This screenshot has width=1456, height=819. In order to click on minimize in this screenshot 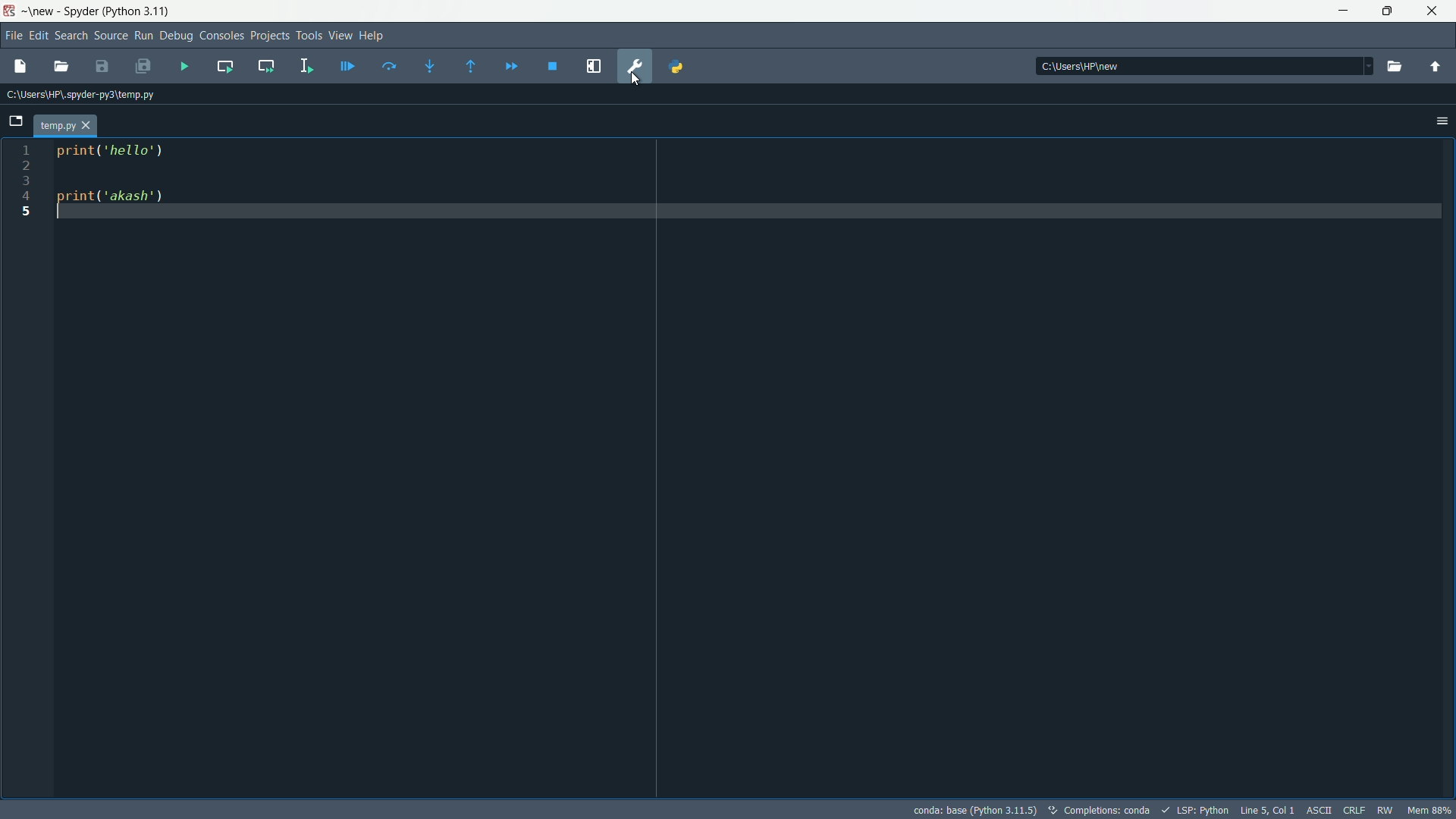, I will do `click(1341, 9)`.